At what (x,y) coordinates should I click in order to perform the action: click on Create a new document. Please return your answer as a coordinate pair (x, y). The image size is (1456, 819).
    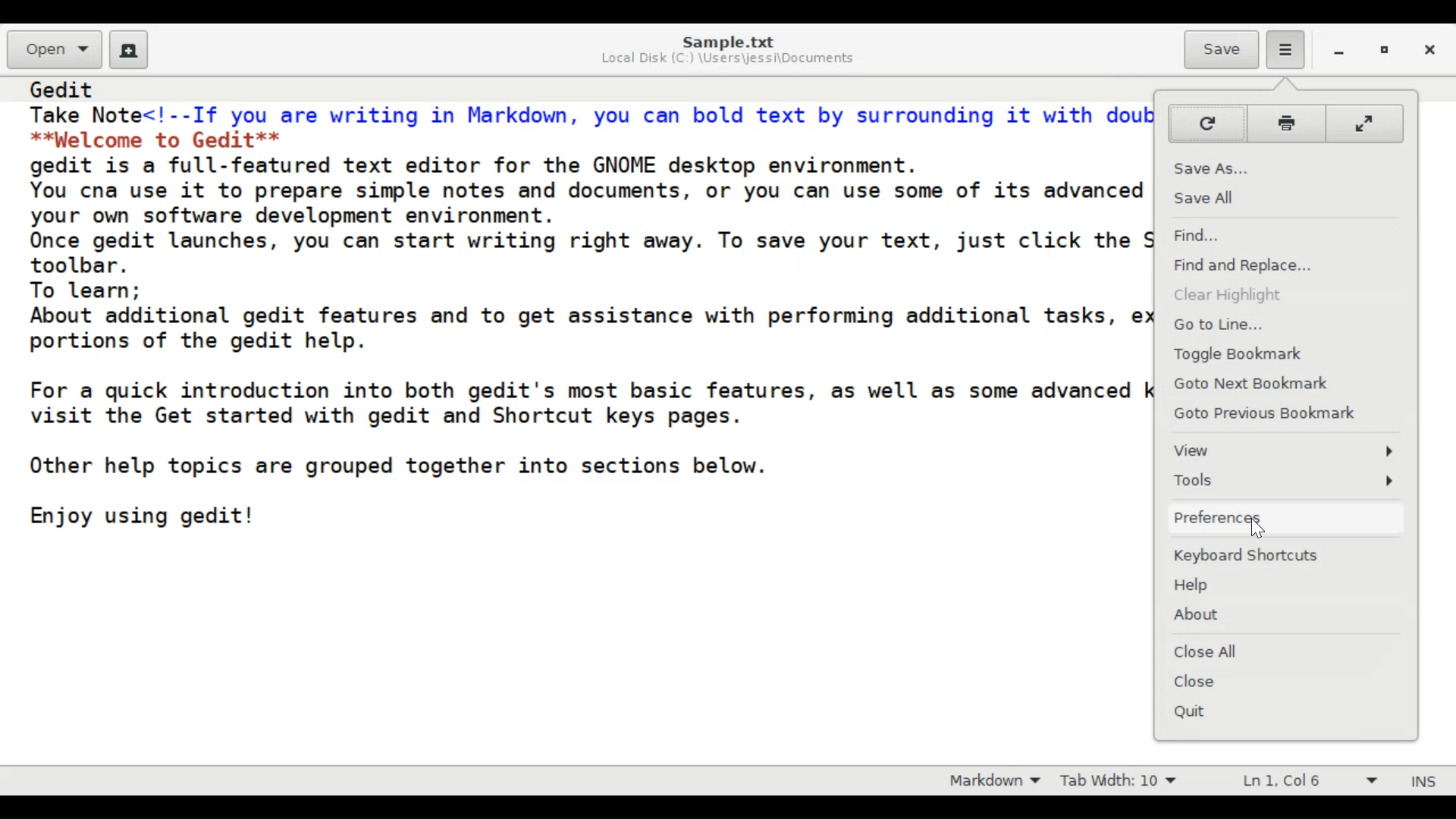
    Looking at the image, I should click on (130, 50).